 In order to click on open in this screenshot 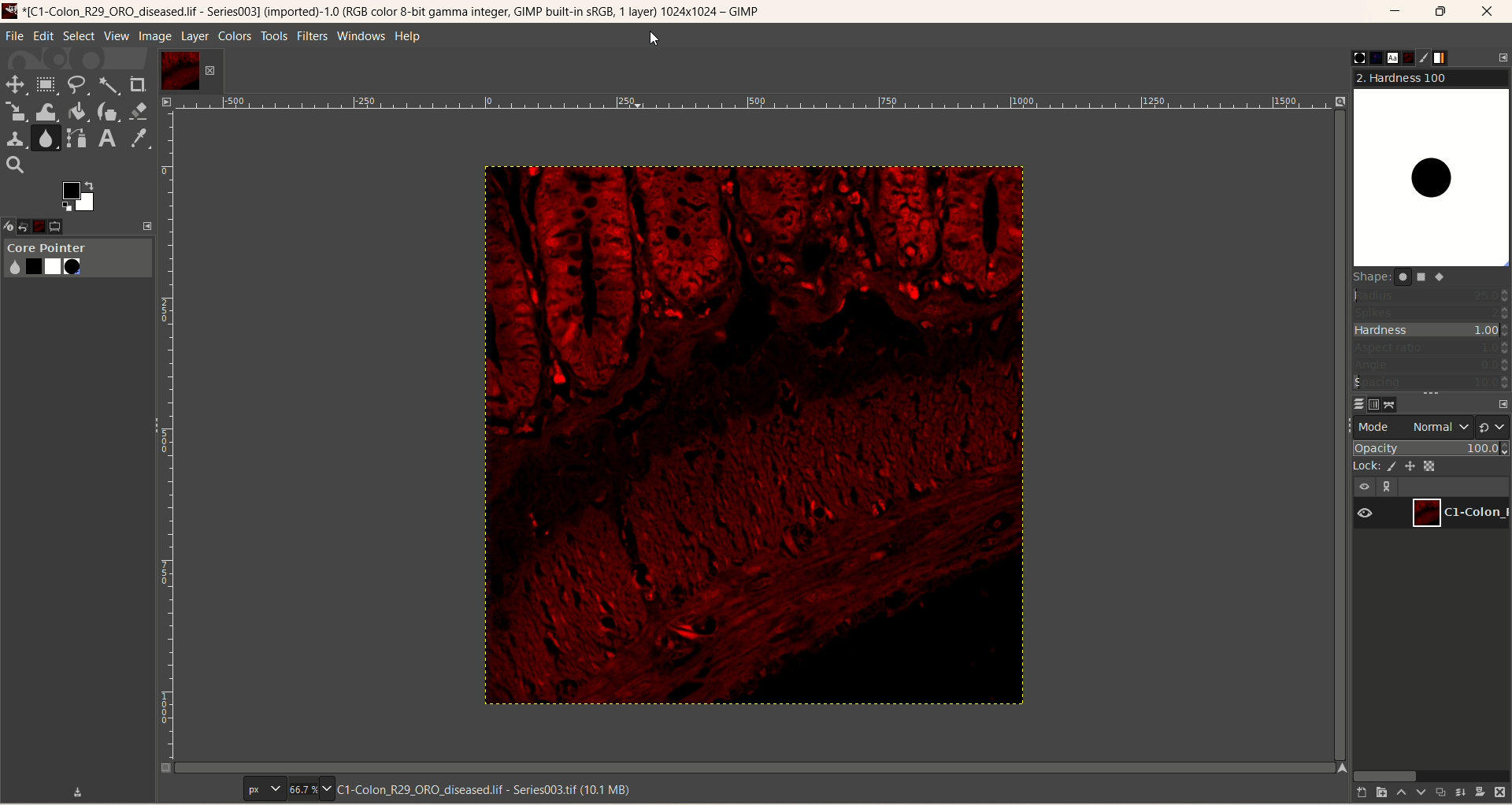, I will do `click(31, 224)`.